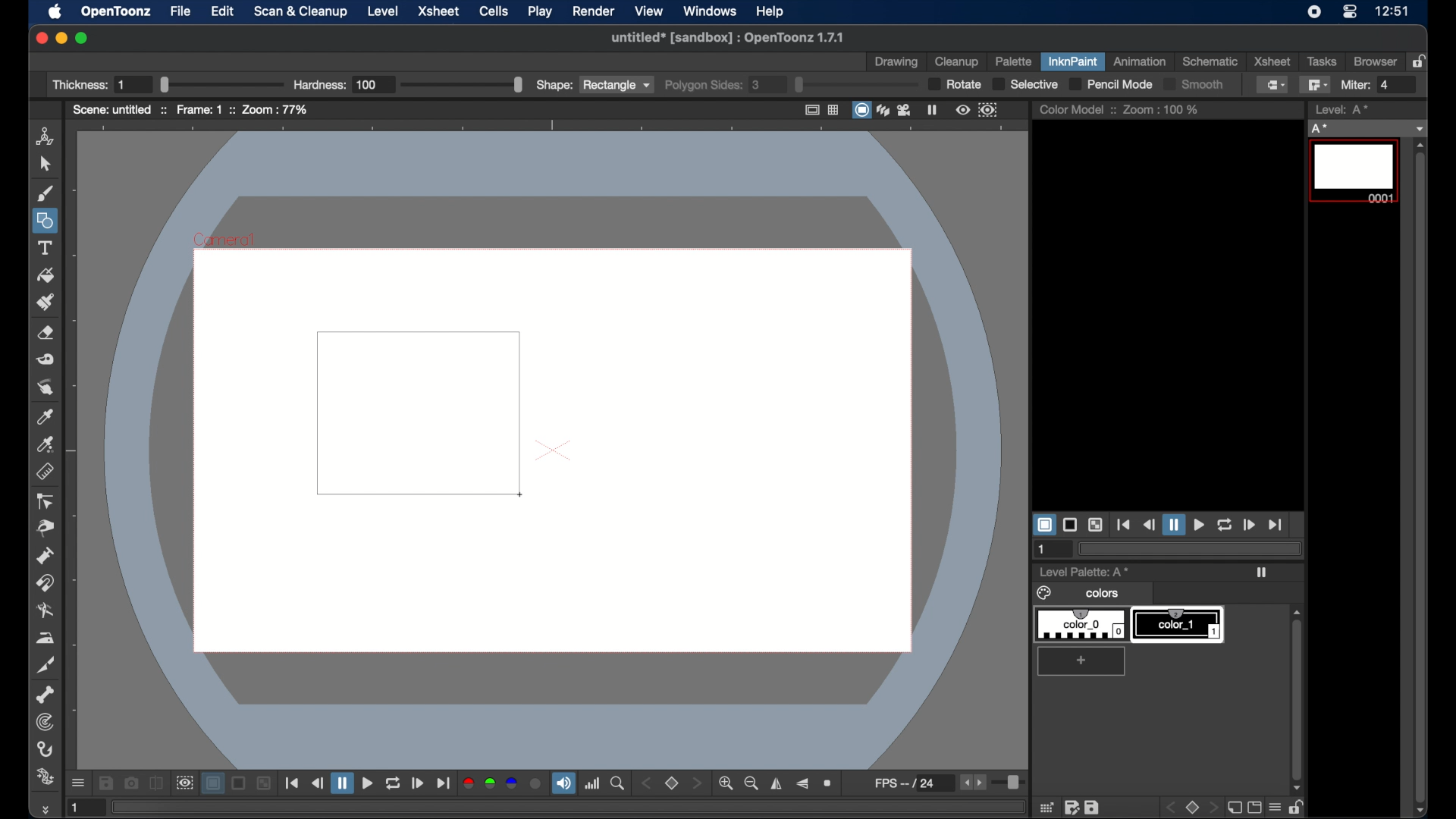 This screenshot has width=1456, height=819. I want to click on 12:51, so click(1394, 11).